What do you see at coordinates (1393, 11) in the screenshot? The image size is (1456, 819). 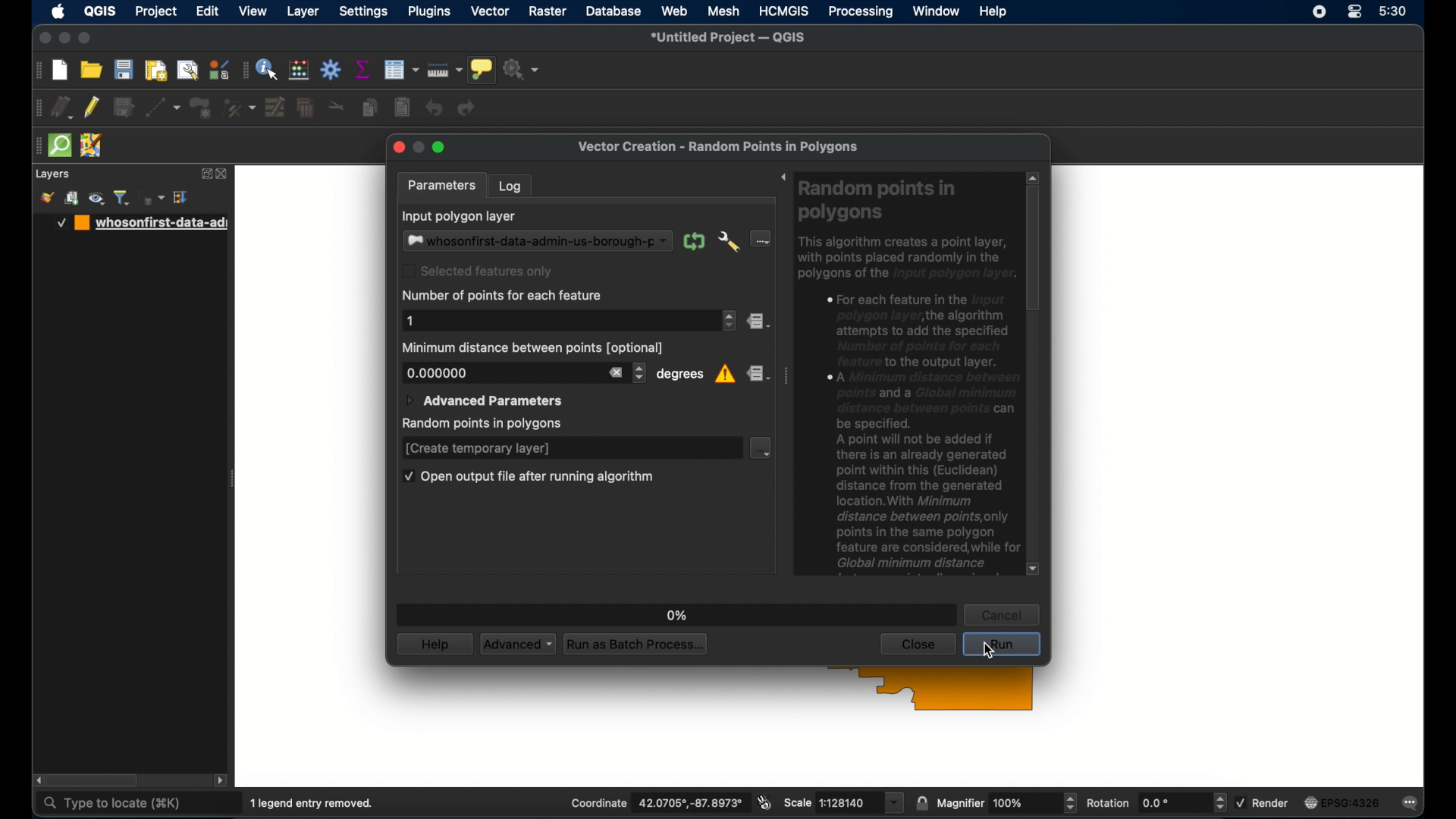 I see `time` at bounding box center [1393, 11].